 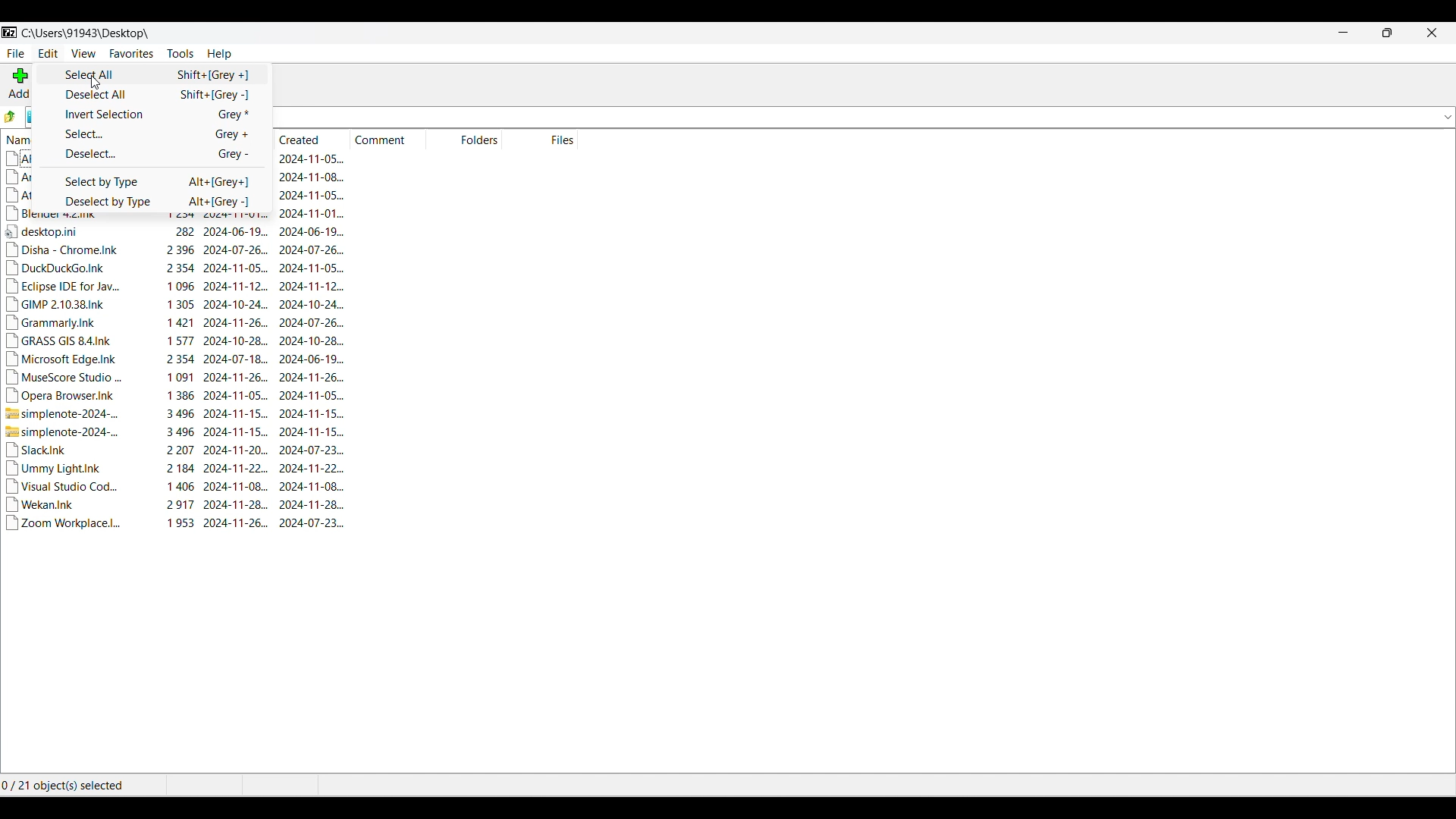 What do you see at coordinates (153, 74) in the screenshot?
I see `Select all` at bounding box center [153, 74].